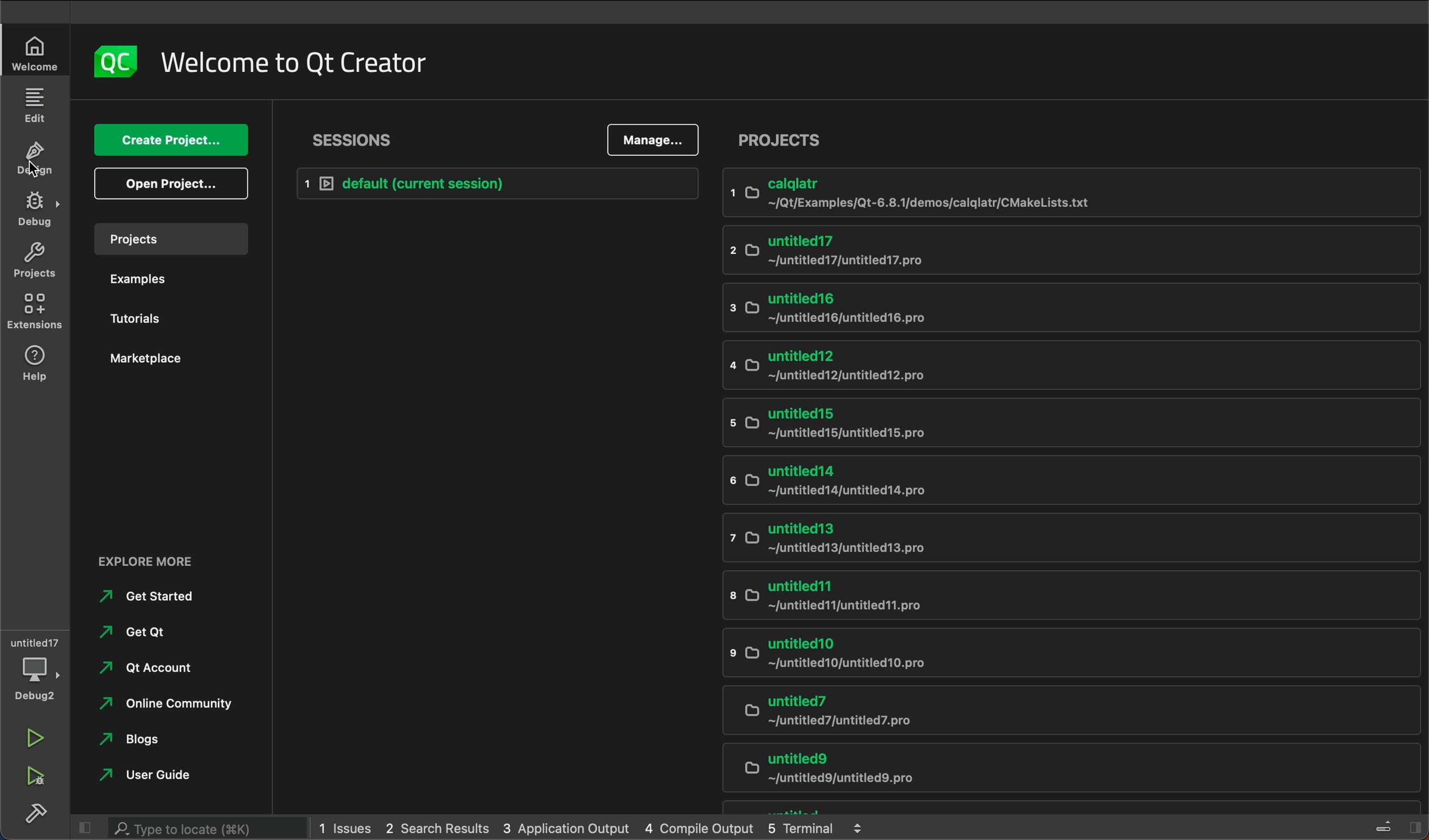  What do you see at coordinates (1075, 135) in the screenshot?
I see `projects` at bounding box center [1075, 135].